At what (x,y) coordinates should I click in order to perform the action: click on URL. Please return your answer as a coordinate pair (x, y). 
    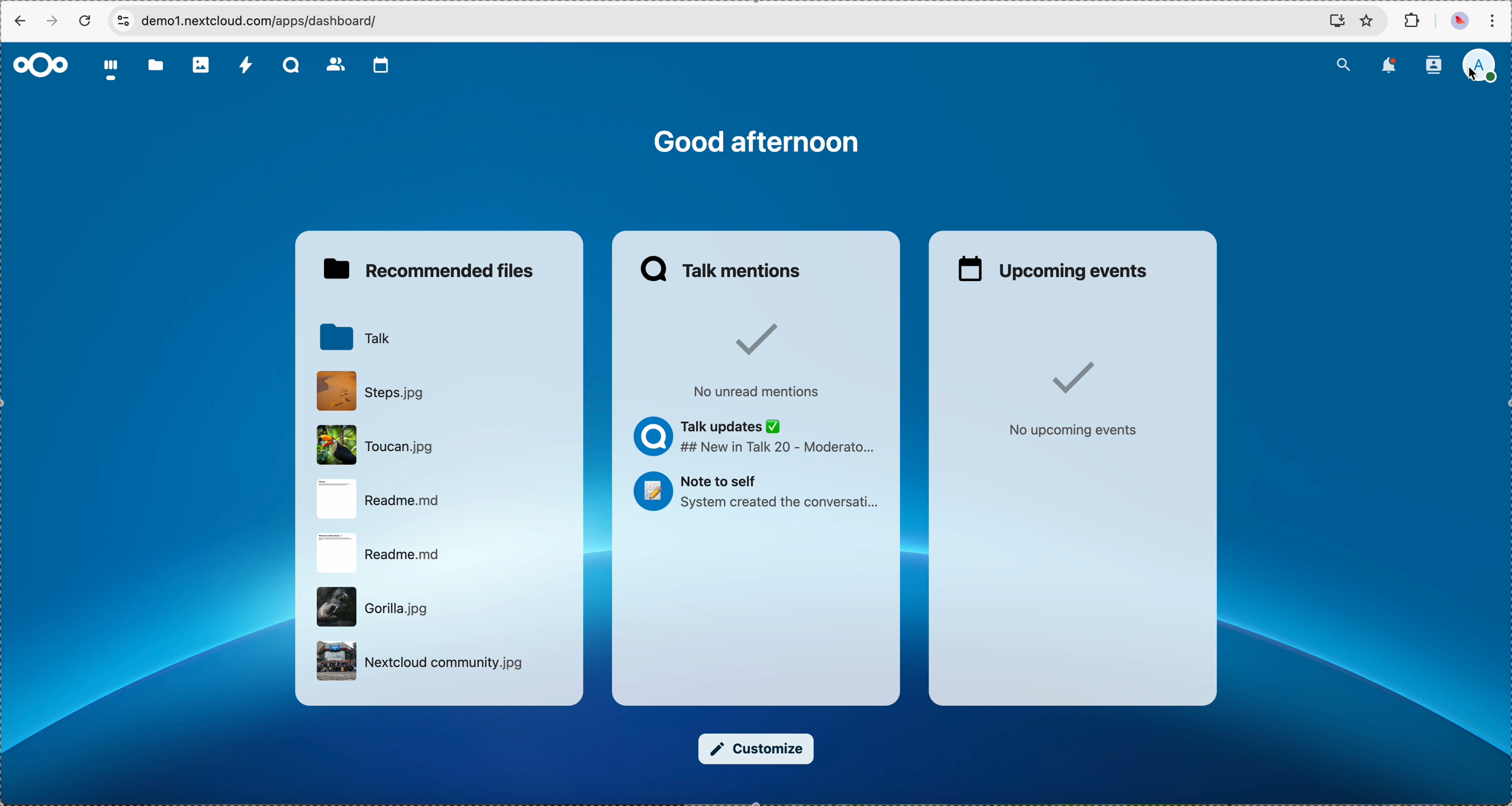
    Looking at the image, I should click on (262, 21).